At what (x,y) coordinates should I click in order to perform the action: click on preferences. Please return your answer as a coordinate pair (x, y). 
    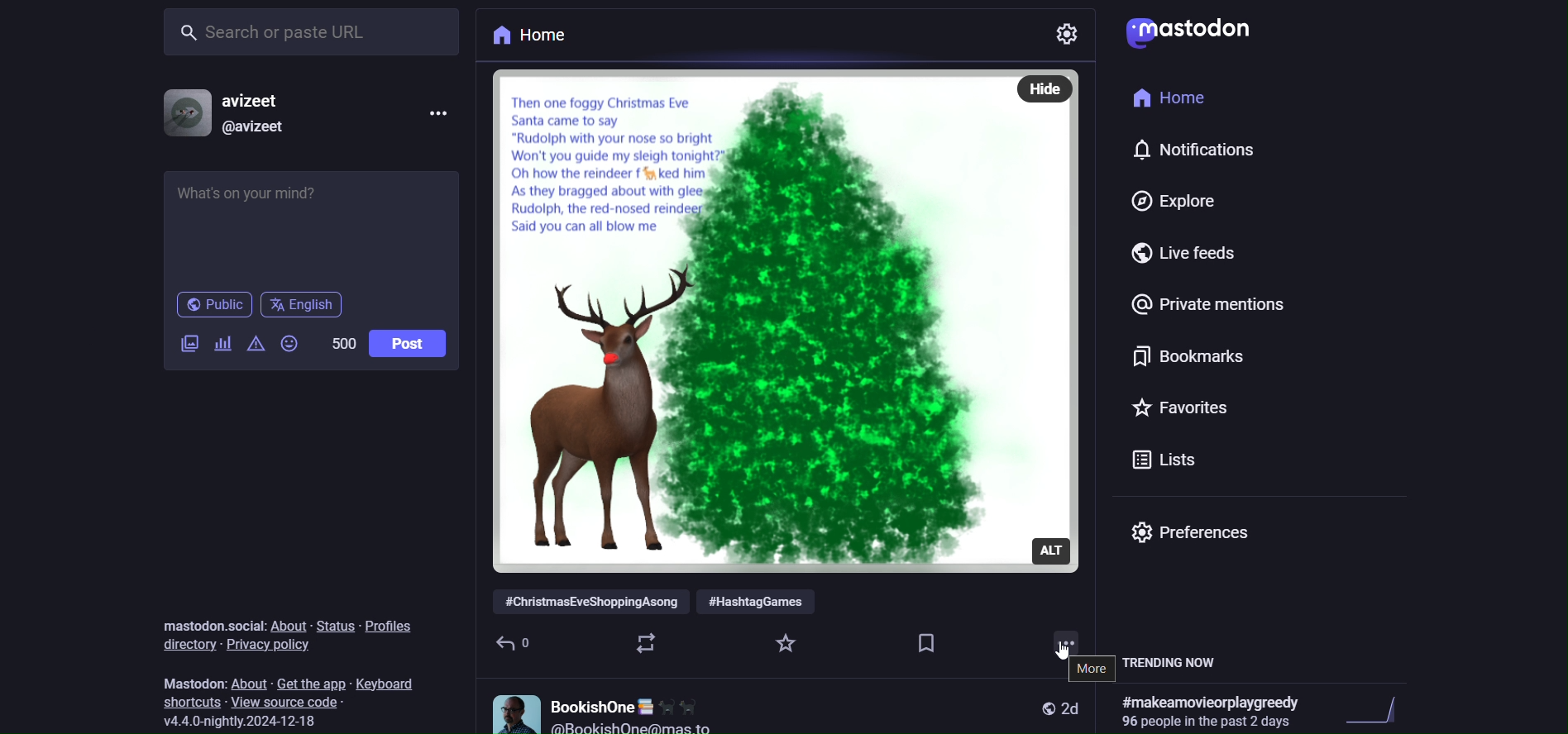
    Looking at the image, I should click on (1192, 530).